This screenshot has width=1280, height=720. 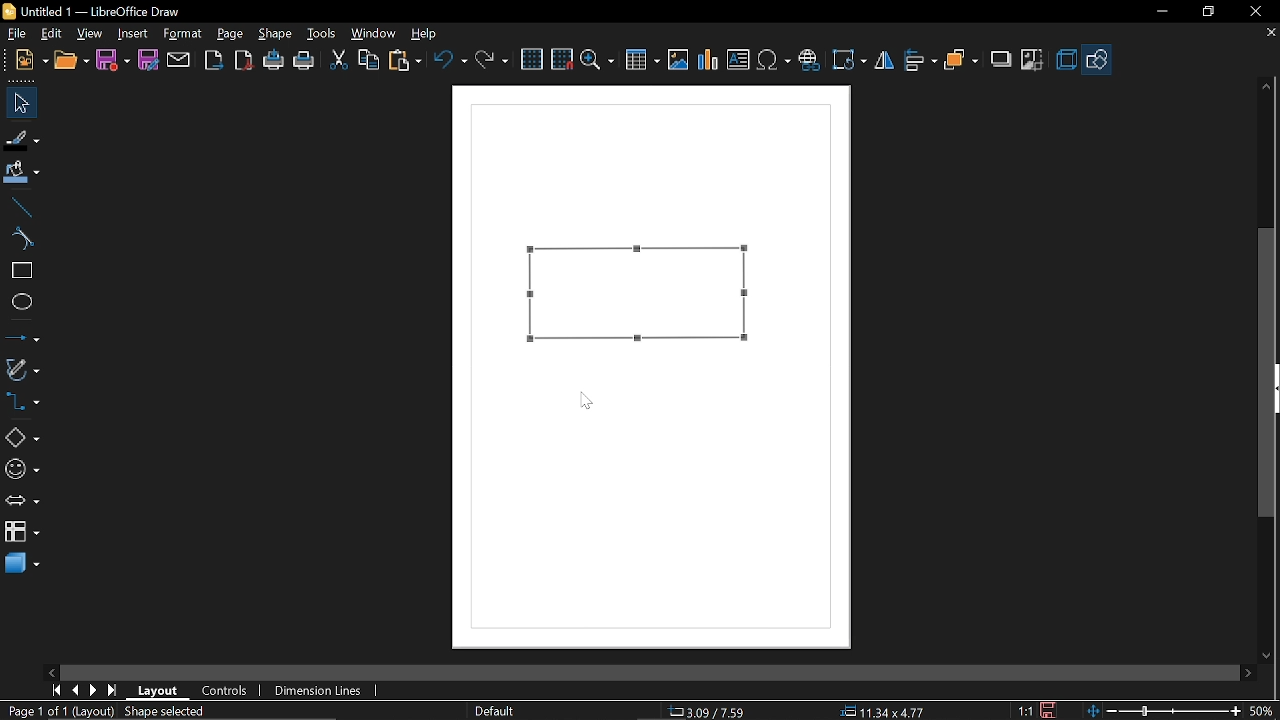 What do you see at coordinates (706, 60) in the screenshot?
I see `insert chart` at bounding box center [706, 60].